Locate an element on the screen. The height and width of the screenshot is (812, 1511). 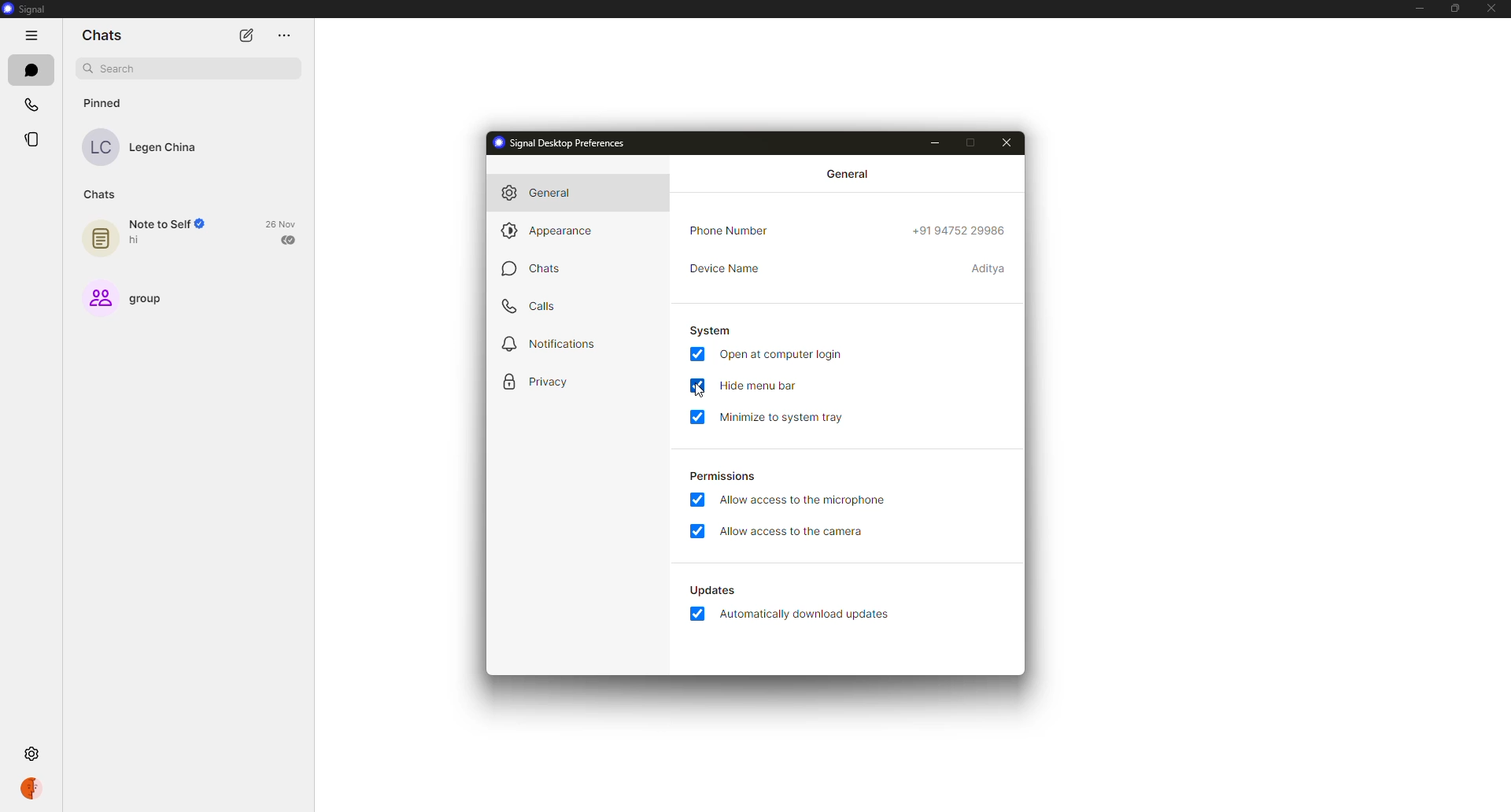
note to self is located at coordinates (146, 232).